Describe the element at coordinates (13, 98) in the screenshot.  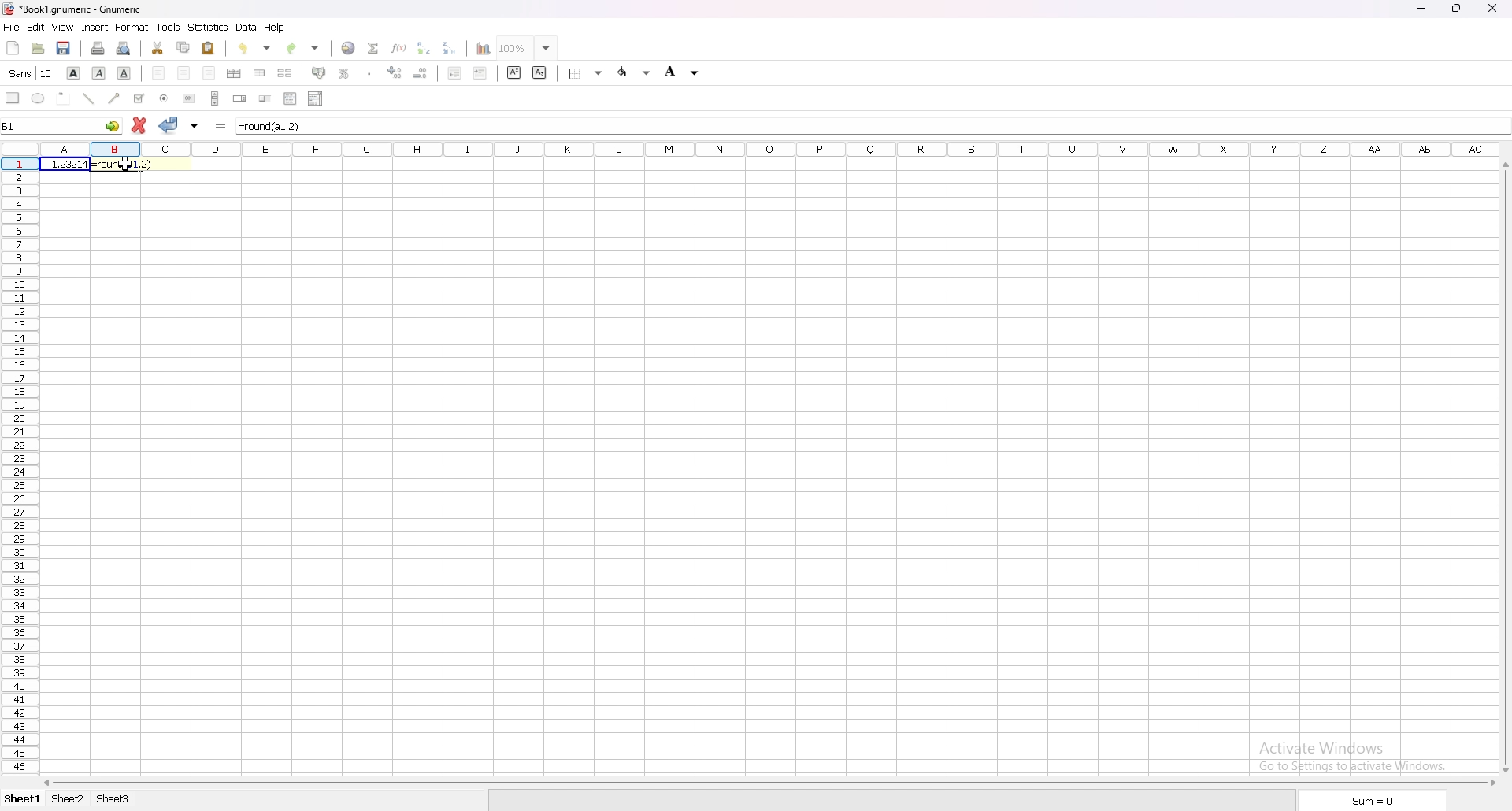
I see `rectangle` at that location.